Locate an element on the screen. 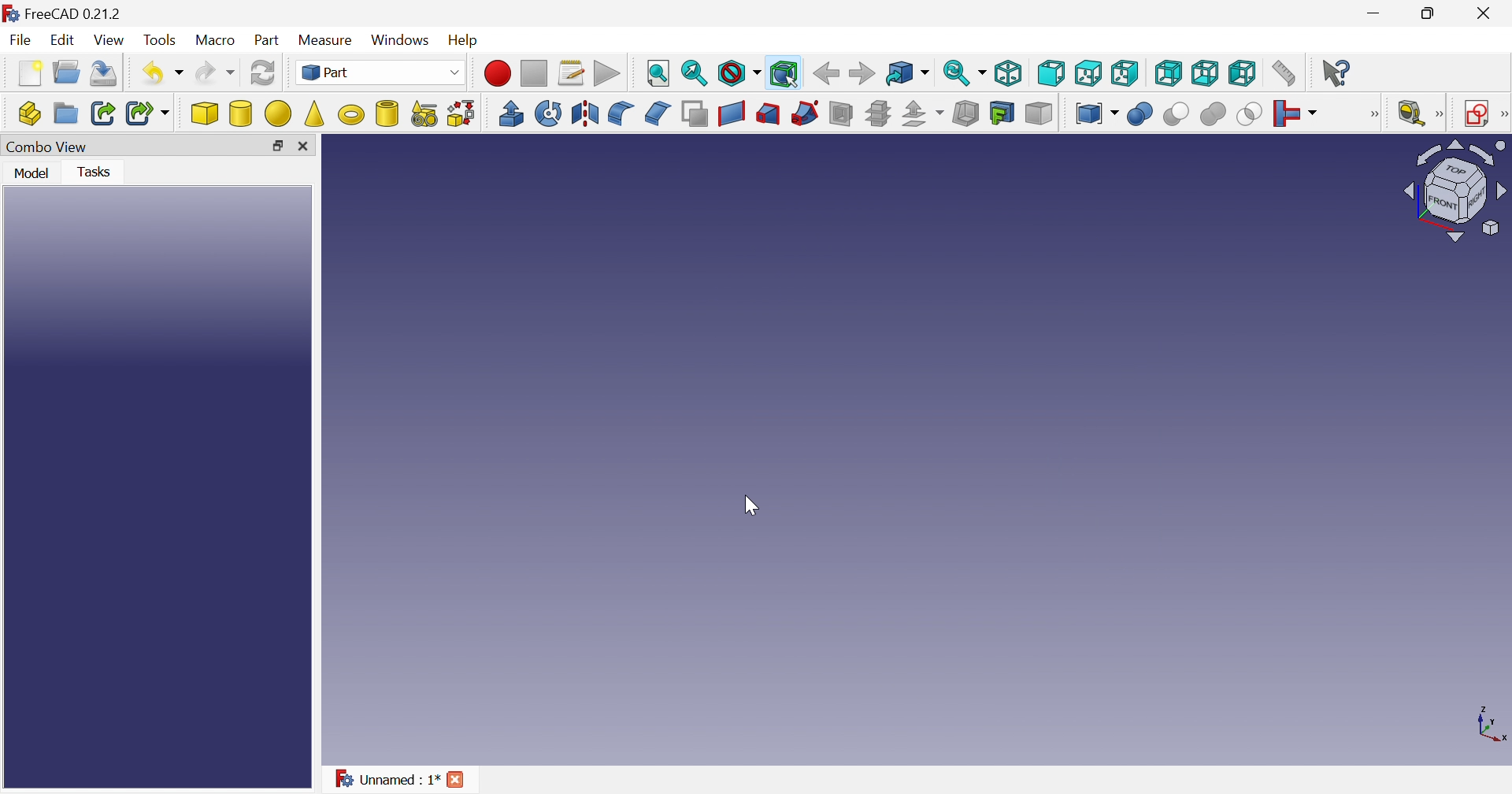  Tools is located at coordinates (160, 42).